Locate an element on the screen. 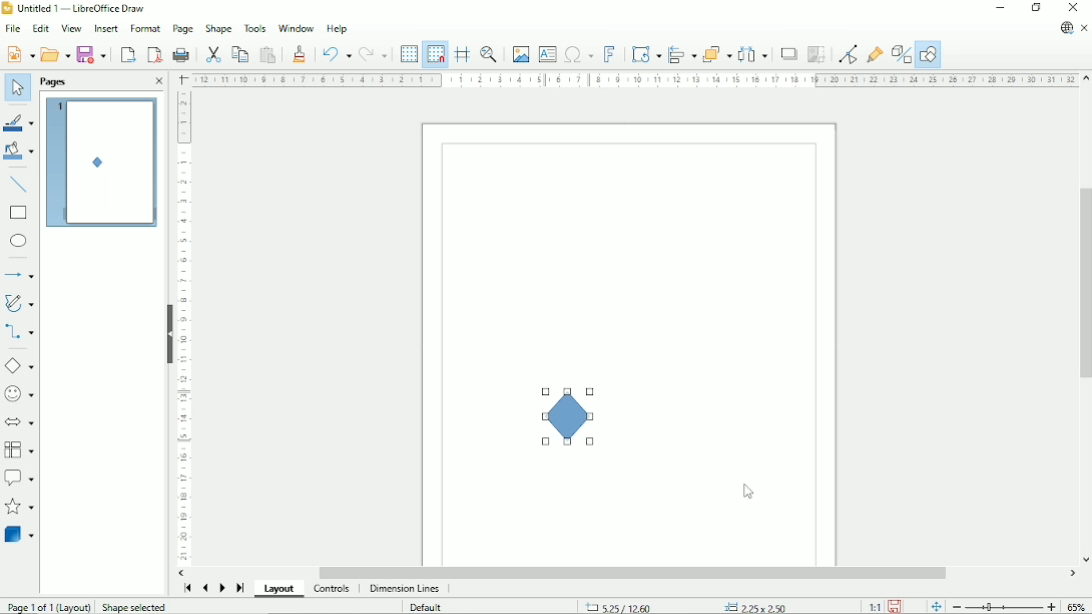 The image size is (1092, 614). Dimension lines is located at coordinates (406, 589).